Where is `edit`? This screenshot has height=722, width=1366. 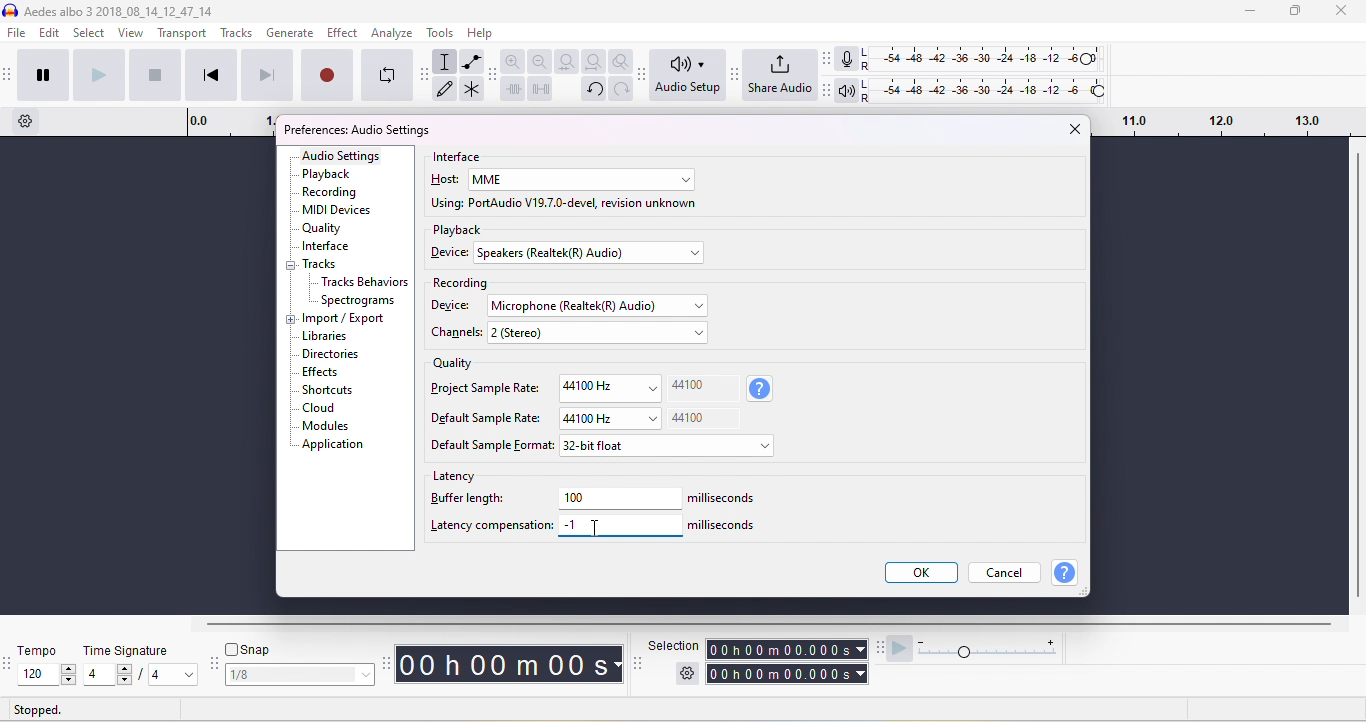
edit is located at coordinates (51, 34).